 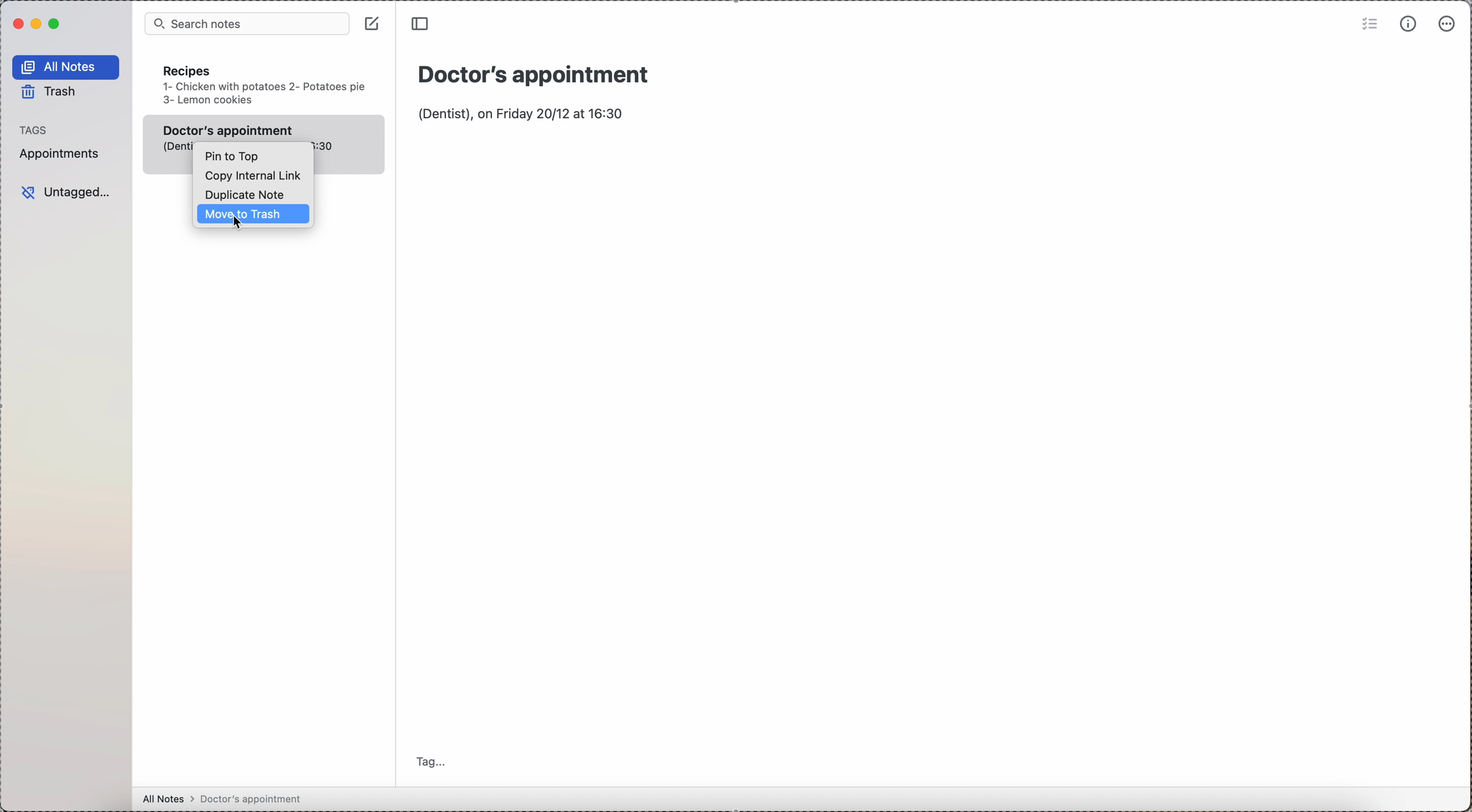 I want to click on tags, so click(x=38, y=130).